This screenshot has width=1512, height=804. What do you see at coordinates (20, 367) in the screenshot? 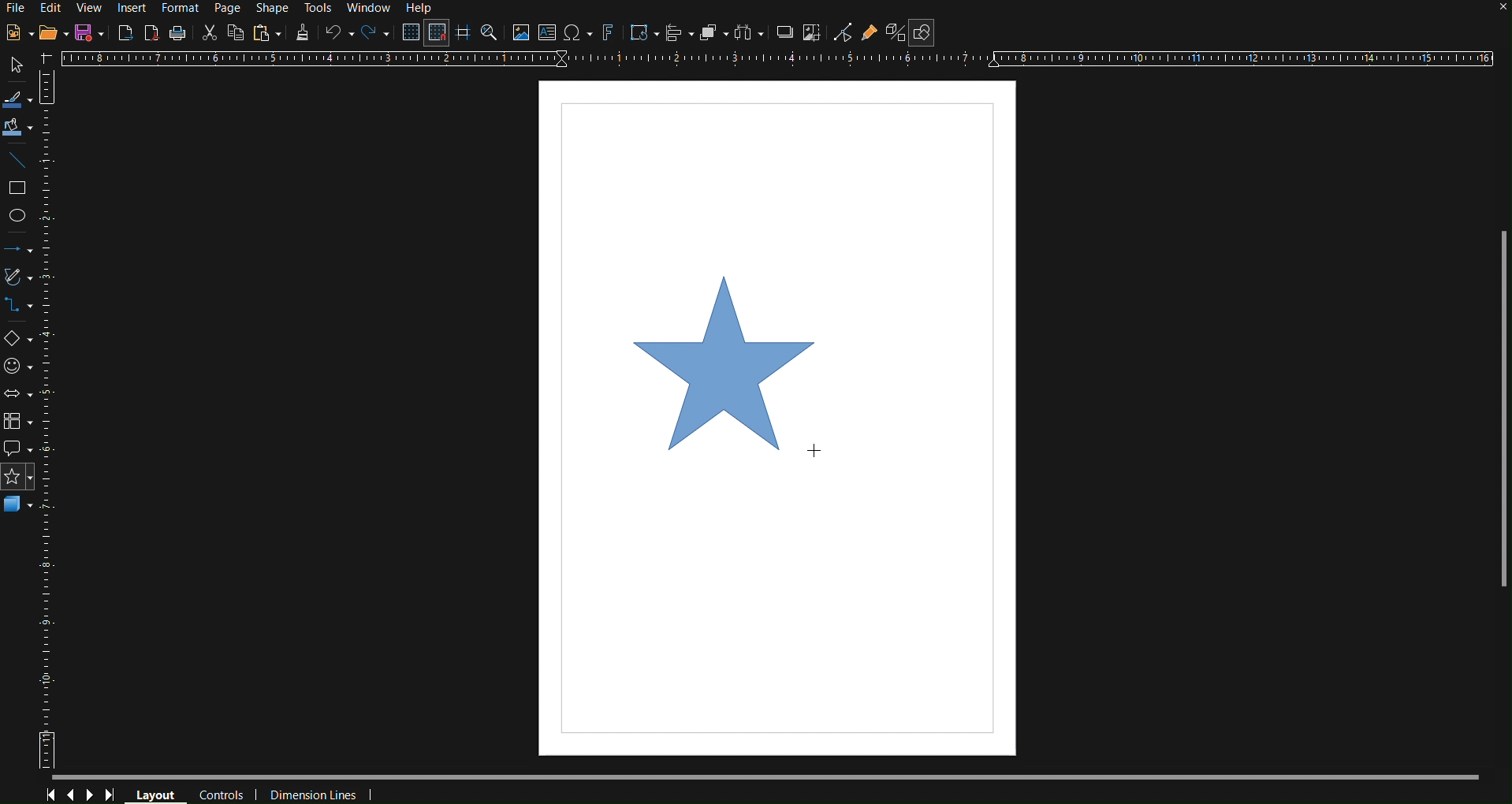
I see `Symbol Shapes` at bounding box center [20, 367].